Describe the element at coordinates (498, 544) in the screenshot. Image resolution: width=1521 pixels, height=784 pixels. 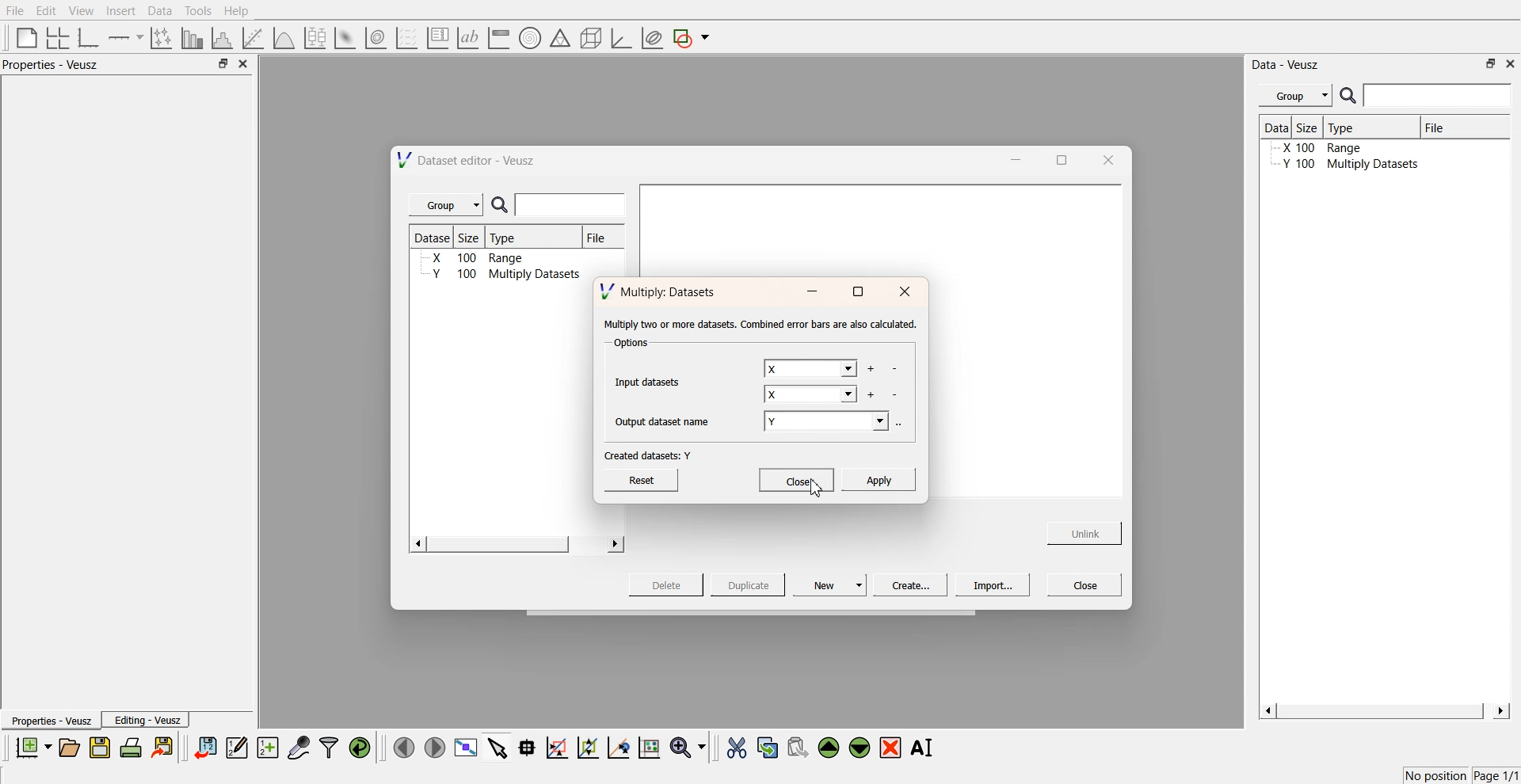
I see `scroll bar` at that location.